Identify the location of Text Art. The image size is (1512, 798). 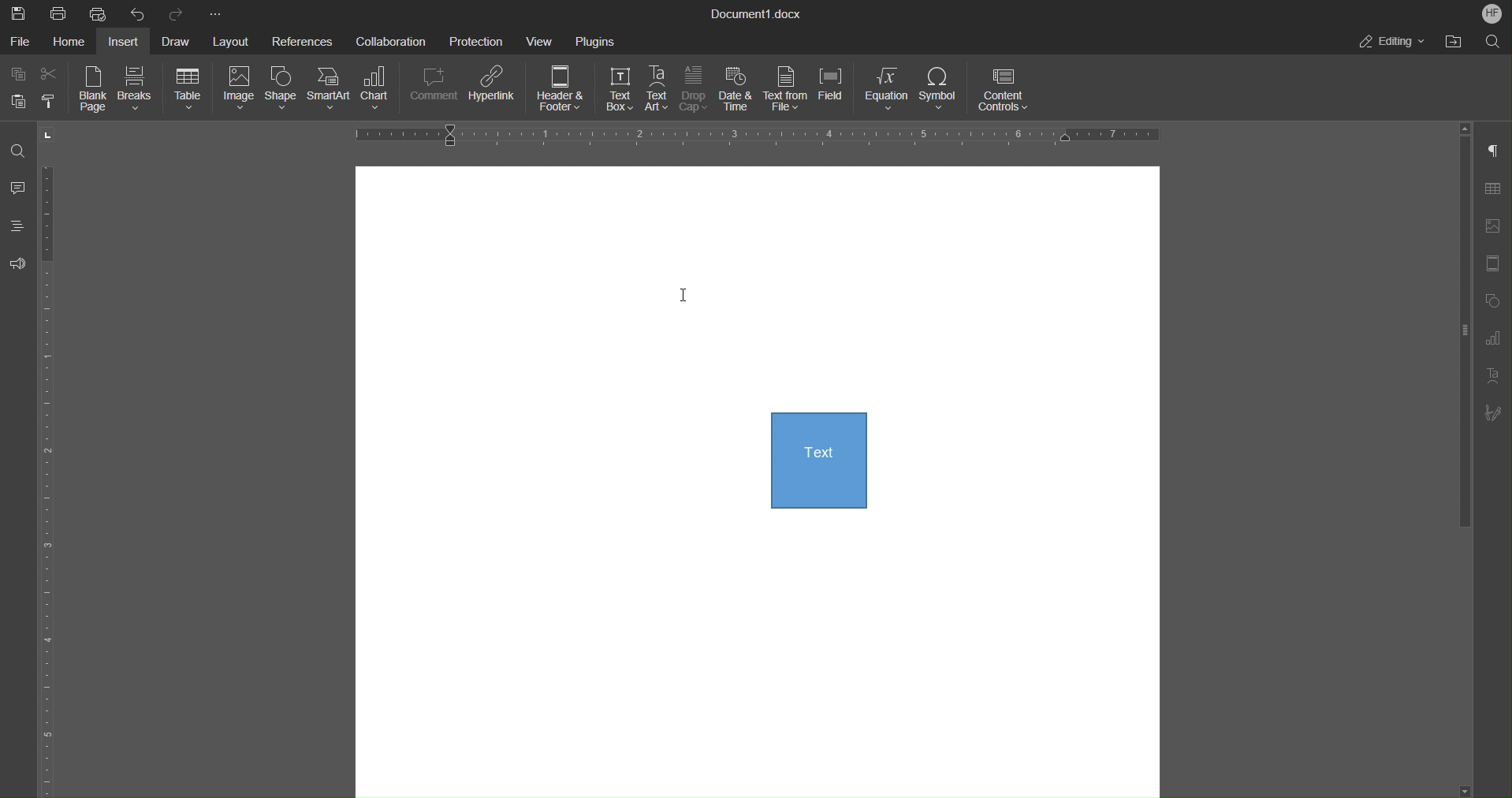
(658, 90).